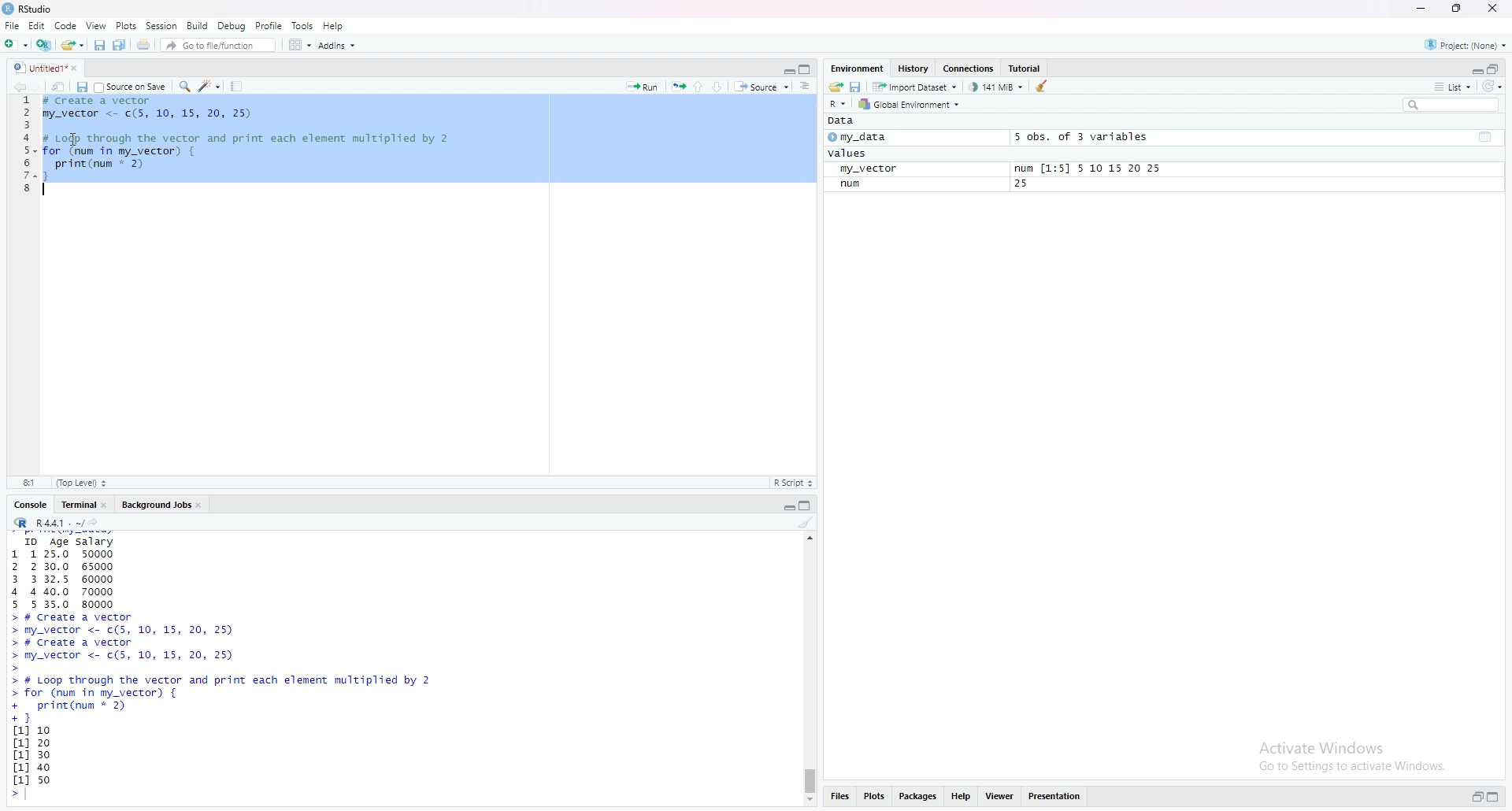 The image size is (1512, 811). I want to click on load workspace, so click(836, 87).